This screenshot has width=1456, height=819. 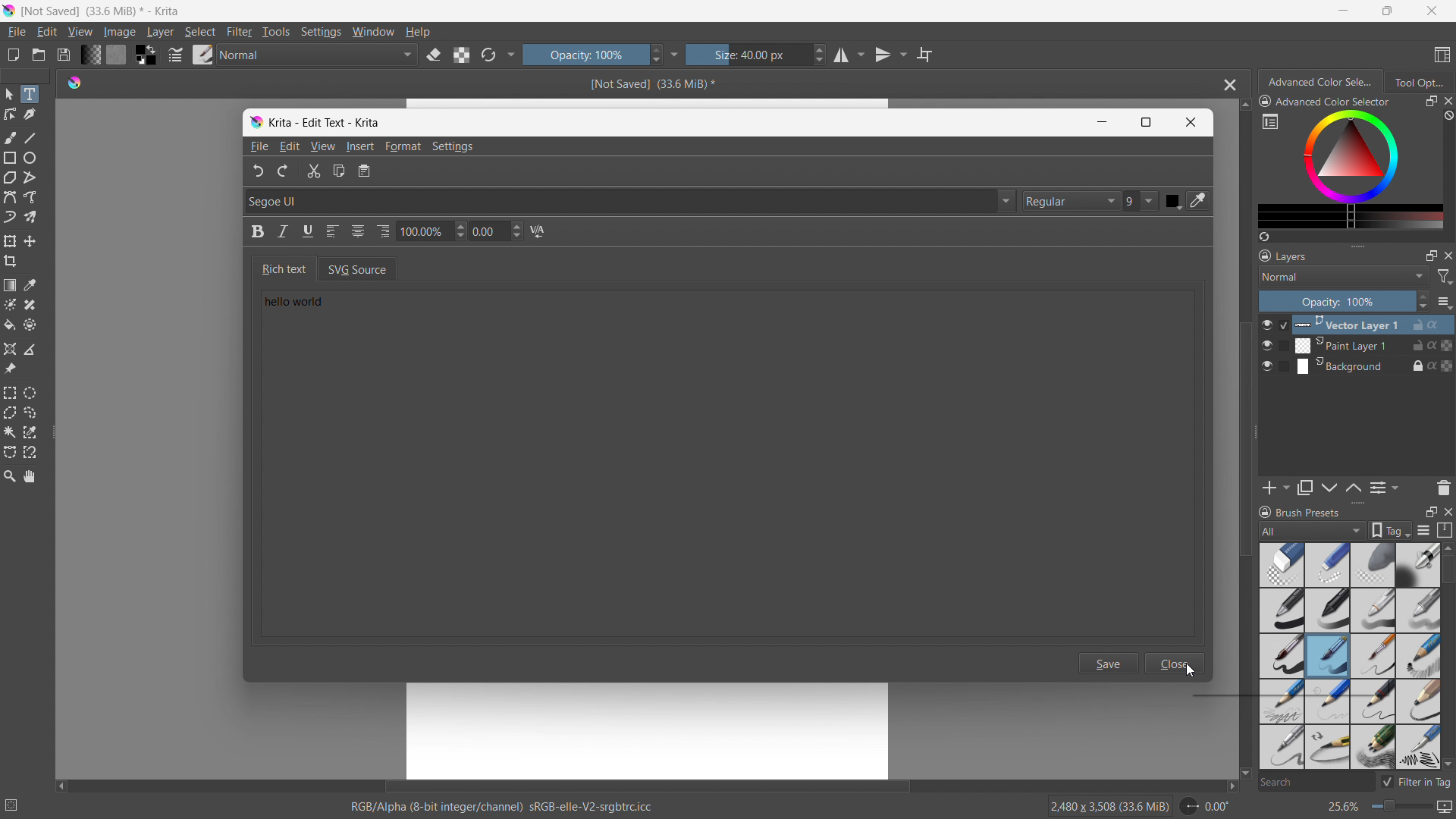 I want to click on logo, so click(x=256, y=123).